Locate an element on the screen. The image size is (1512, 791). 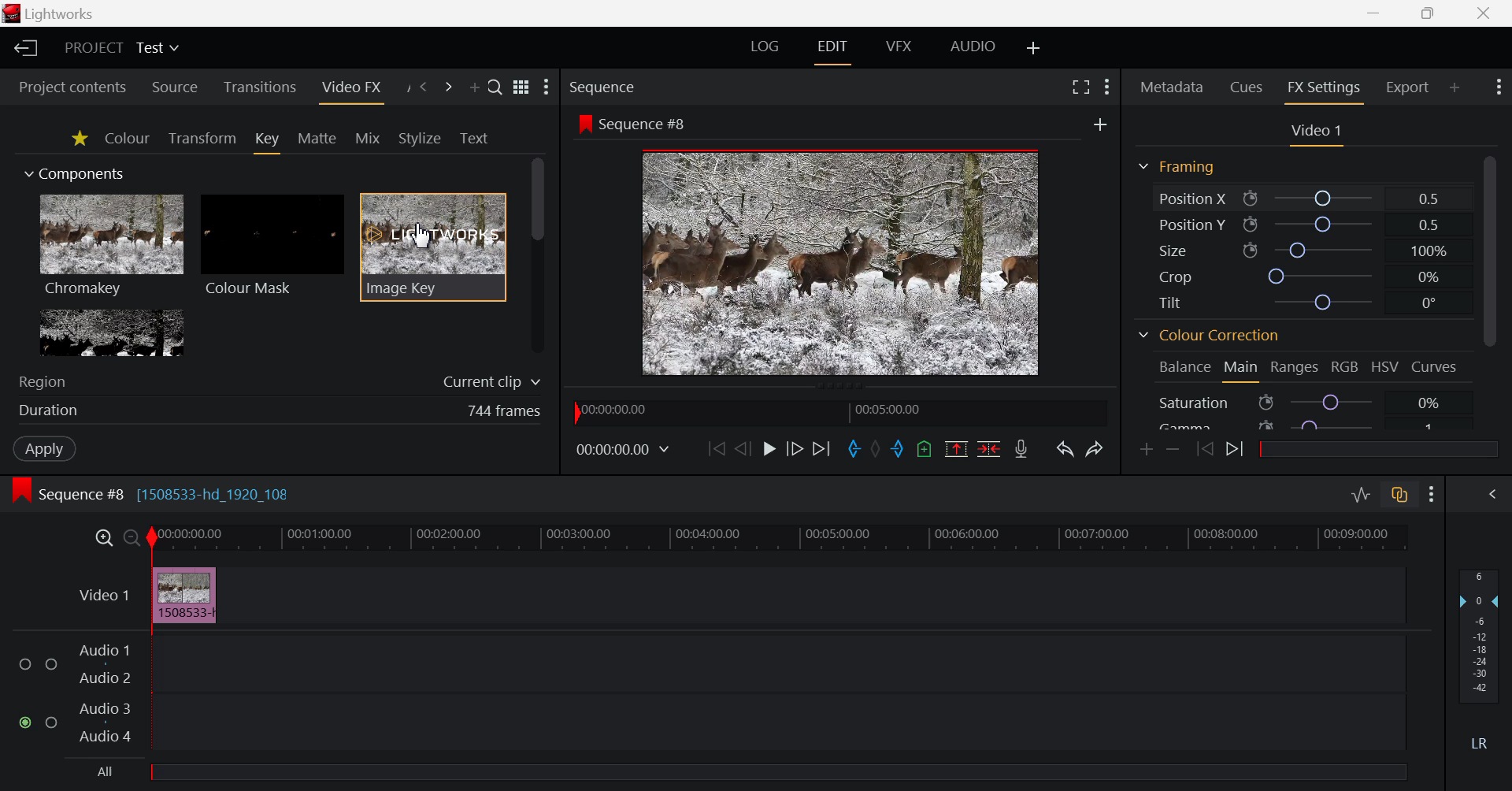
Mark In is located at coordinates (855, 451).